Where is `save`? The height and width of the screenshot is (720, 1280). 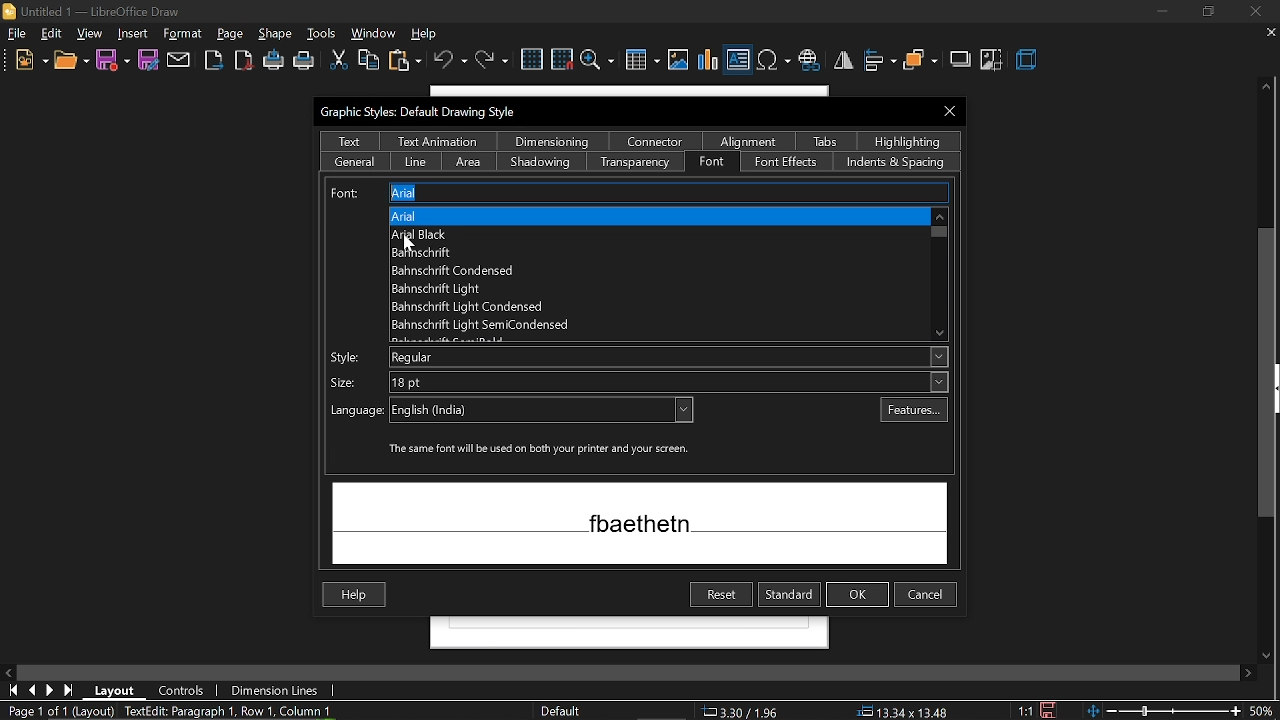 save is located at coordinates (1054, 708).